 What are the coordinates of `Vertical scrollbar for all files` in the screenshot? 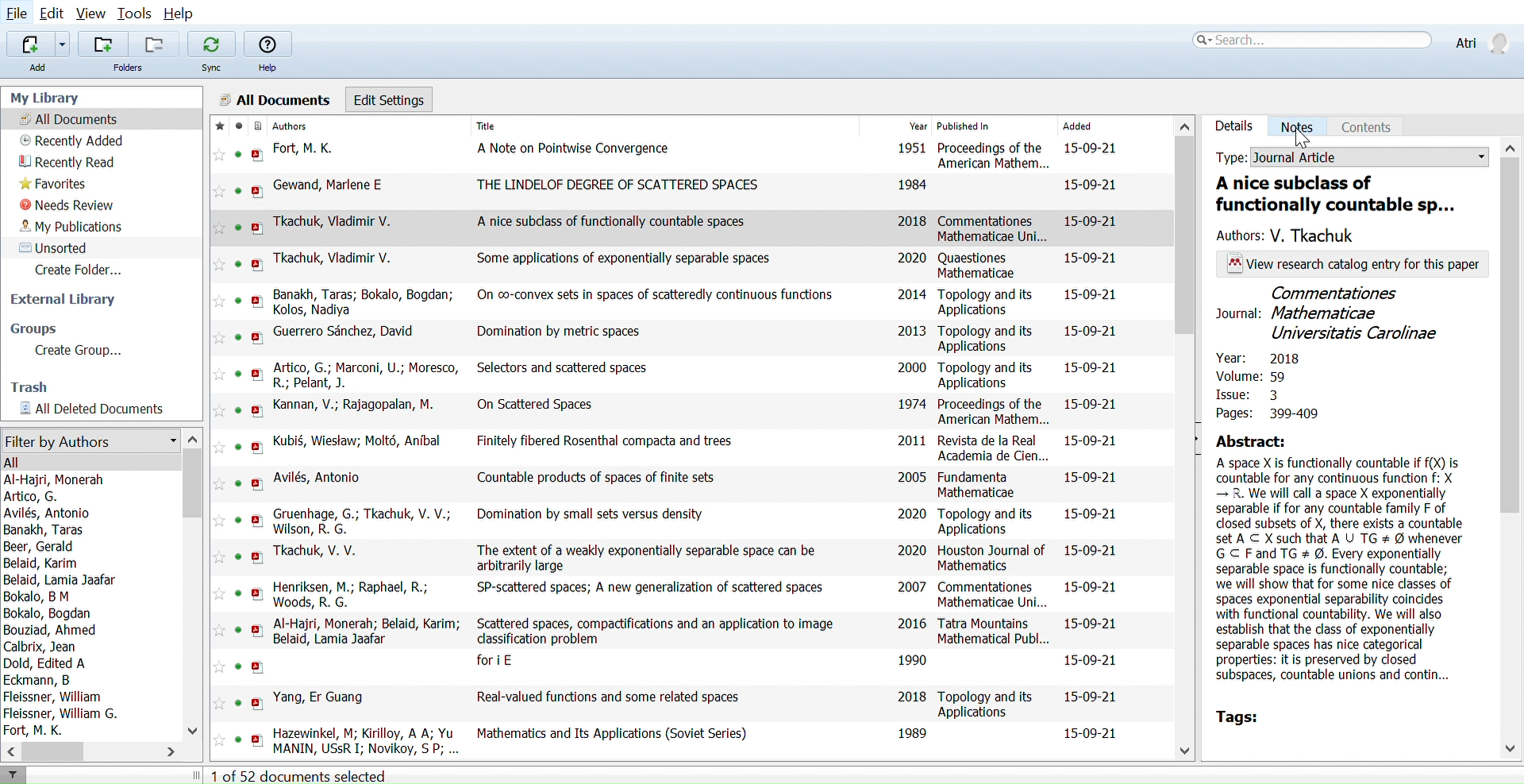 It's located at (1183, 233).